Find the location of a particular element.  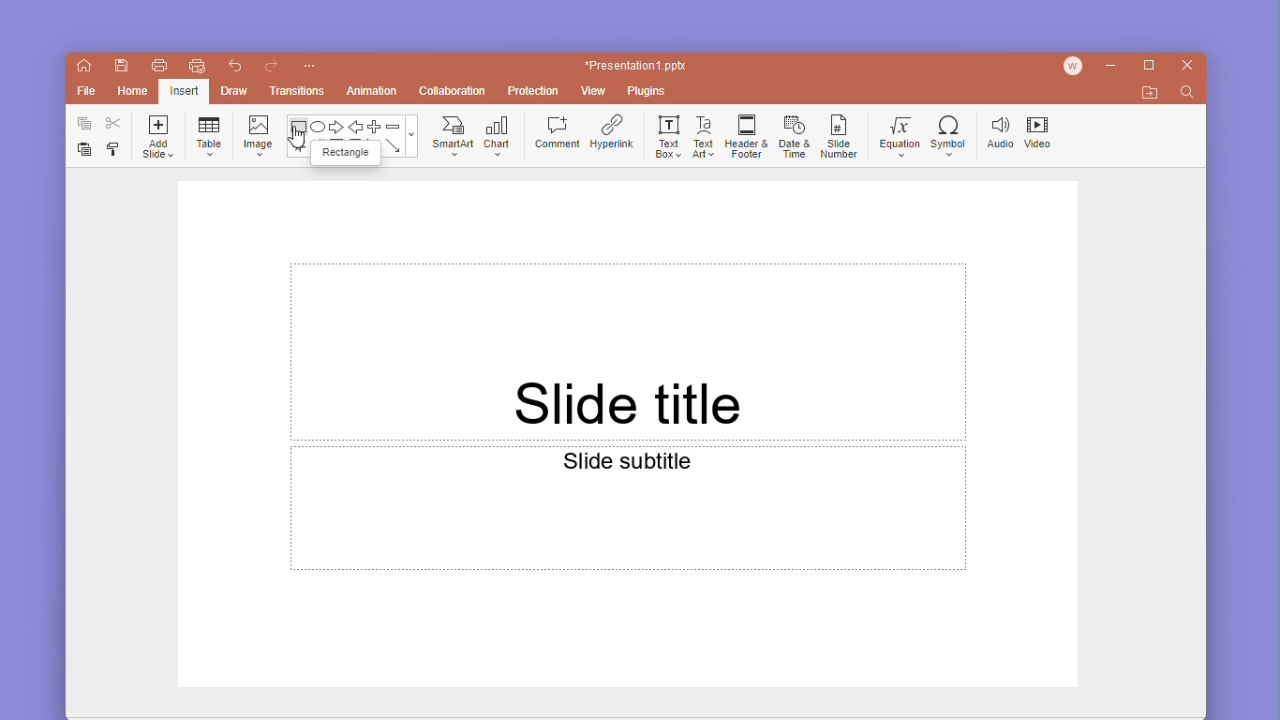

transitions is located at coordinates (296, 90).